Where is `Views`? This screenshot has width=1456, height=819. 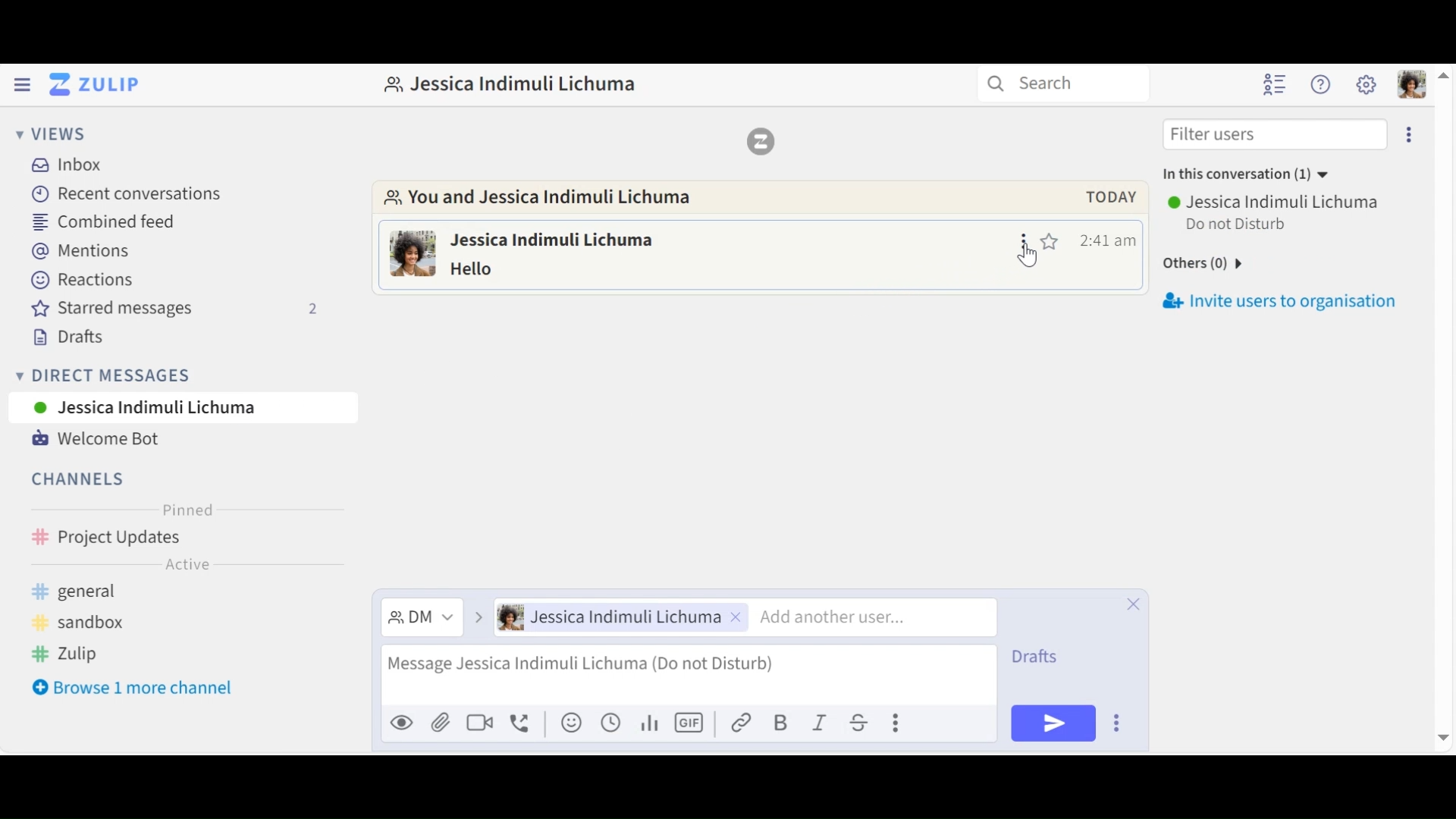 Views is located at coordinates (47, 132).